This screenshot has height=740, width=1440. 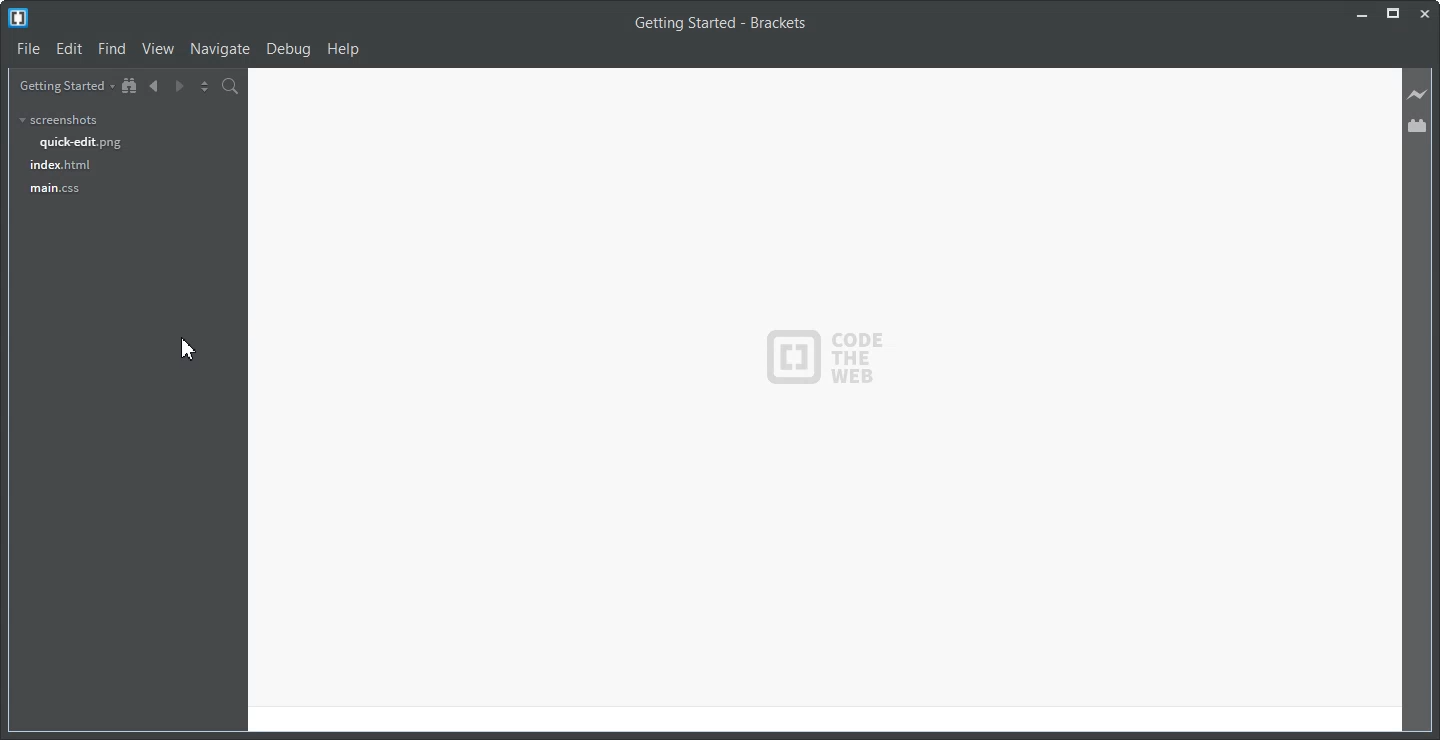 I want to click on main.css, so click(x=55, y=189).